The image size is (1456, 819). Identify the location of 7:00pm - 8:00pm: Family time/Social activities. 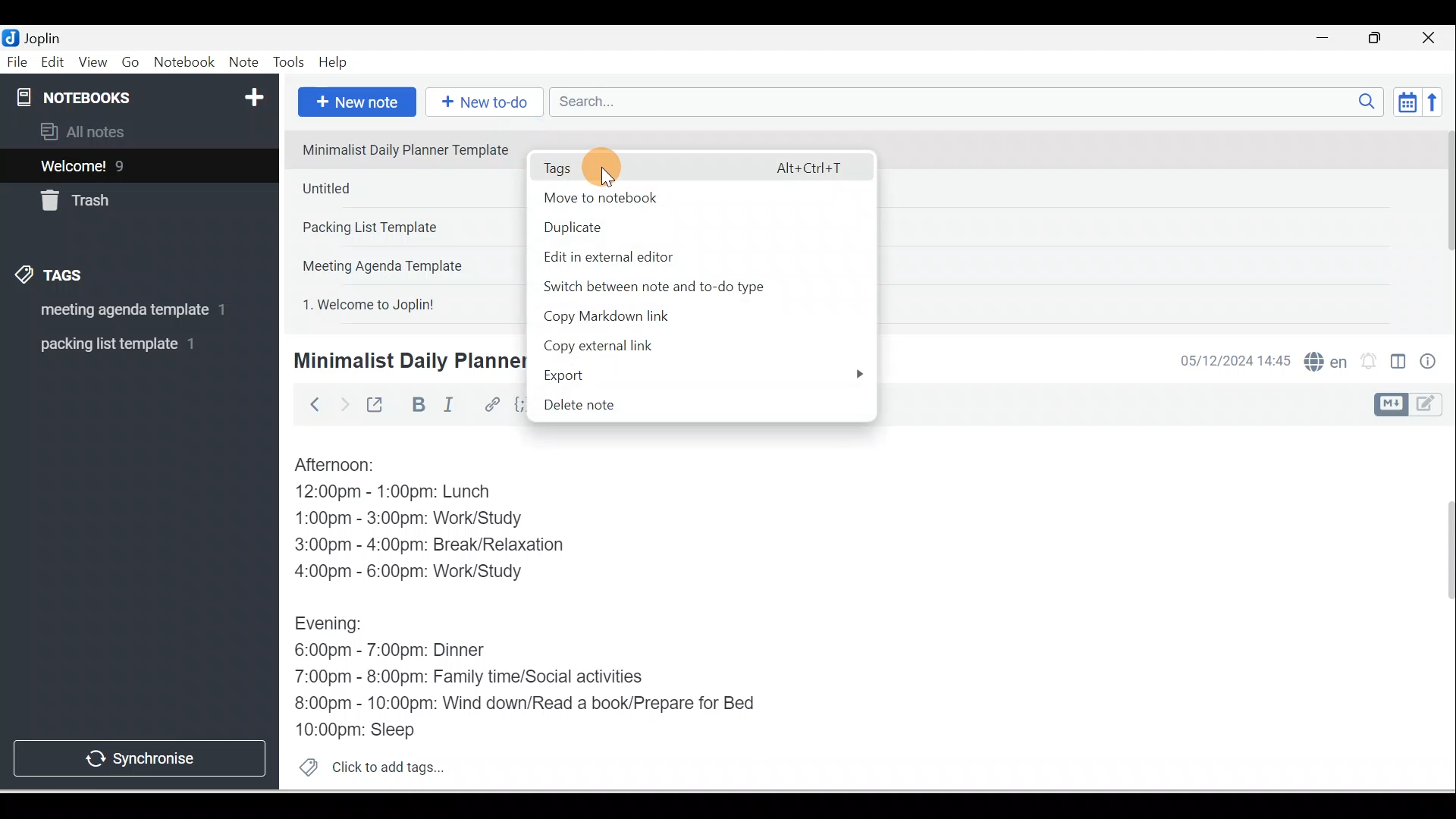
(480, 679).